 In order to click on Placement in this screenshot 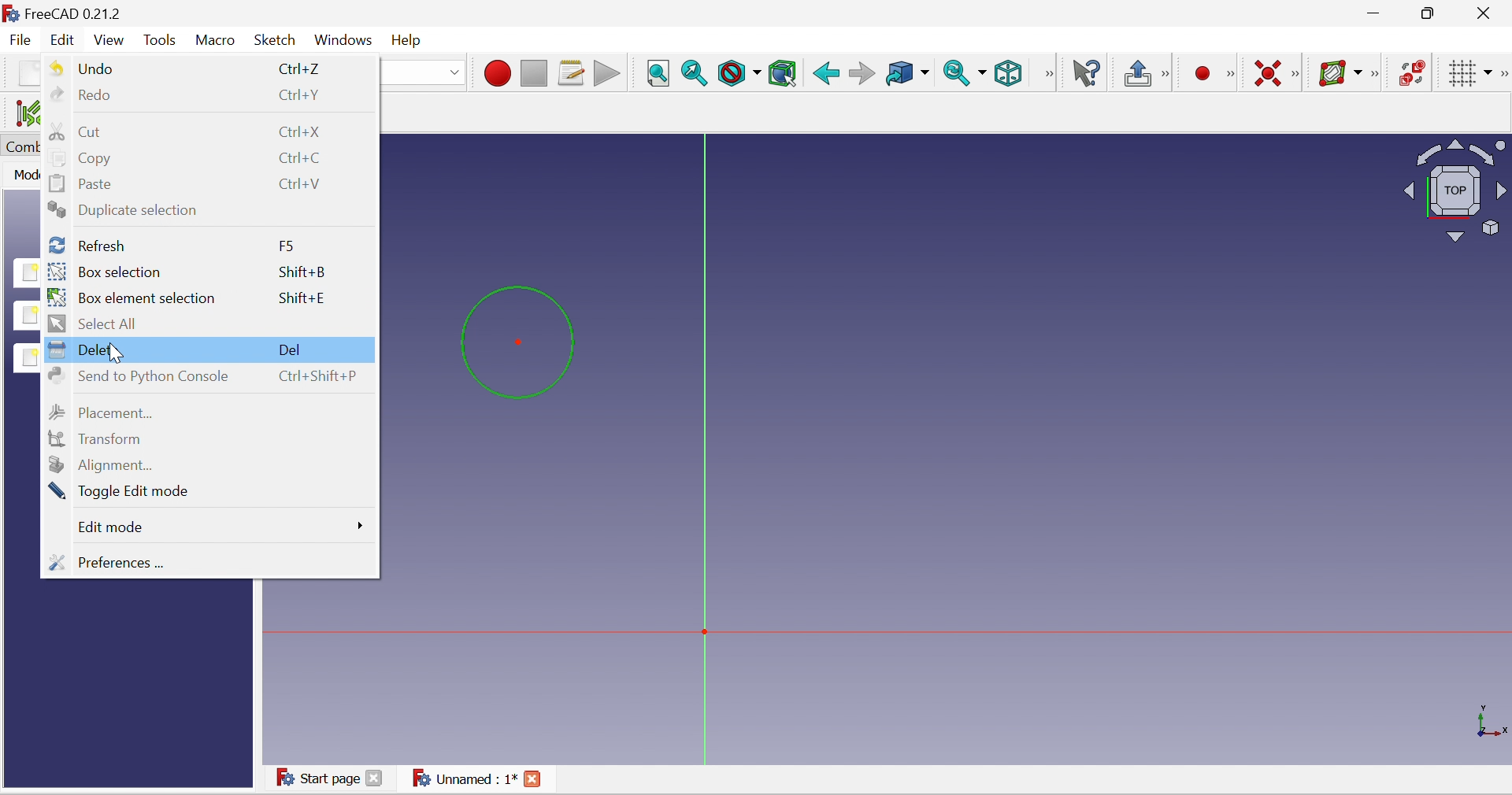, I will do `click(102, 412)`.